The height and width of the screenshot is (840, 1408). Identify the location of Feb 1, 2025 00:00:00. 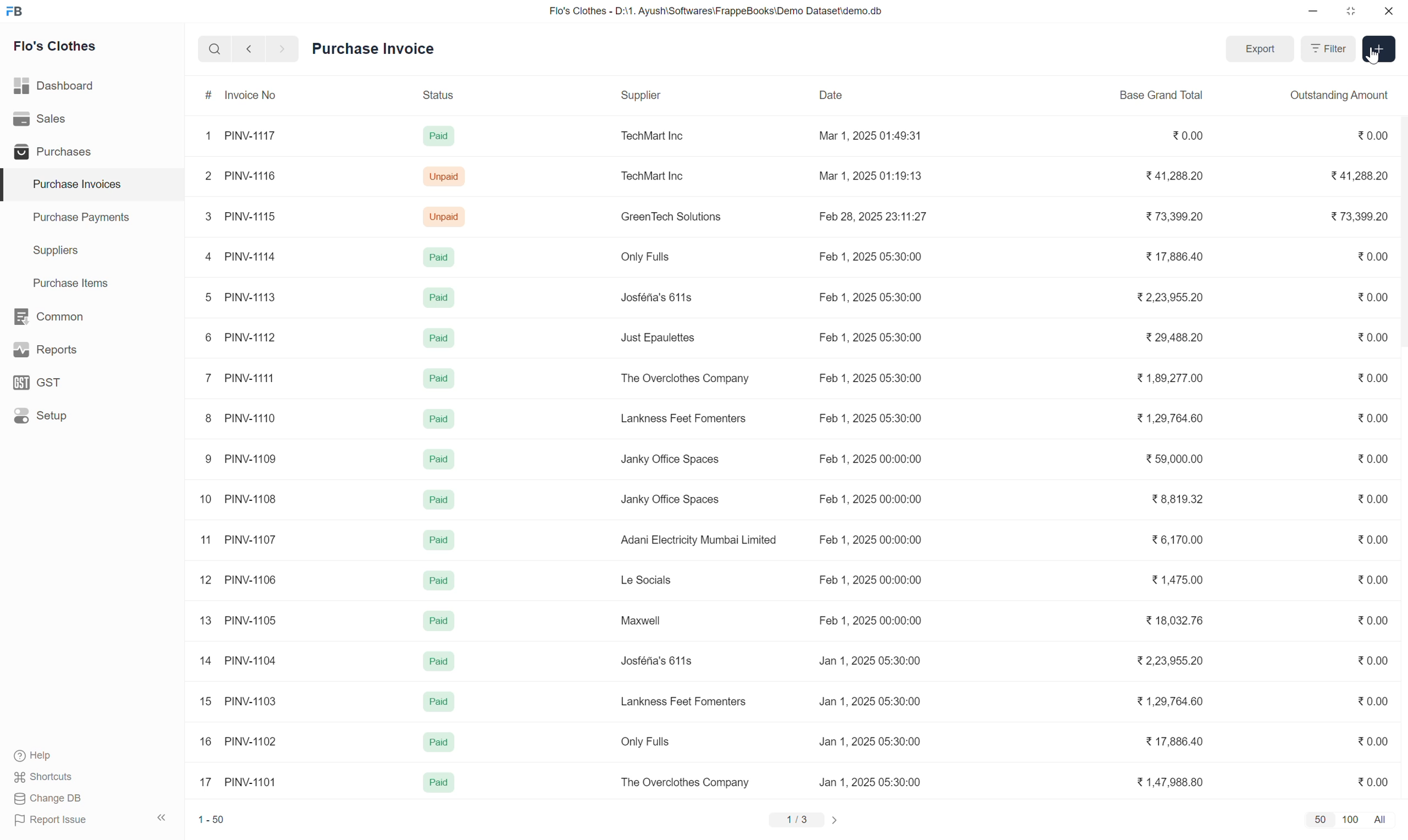
(870, 539).